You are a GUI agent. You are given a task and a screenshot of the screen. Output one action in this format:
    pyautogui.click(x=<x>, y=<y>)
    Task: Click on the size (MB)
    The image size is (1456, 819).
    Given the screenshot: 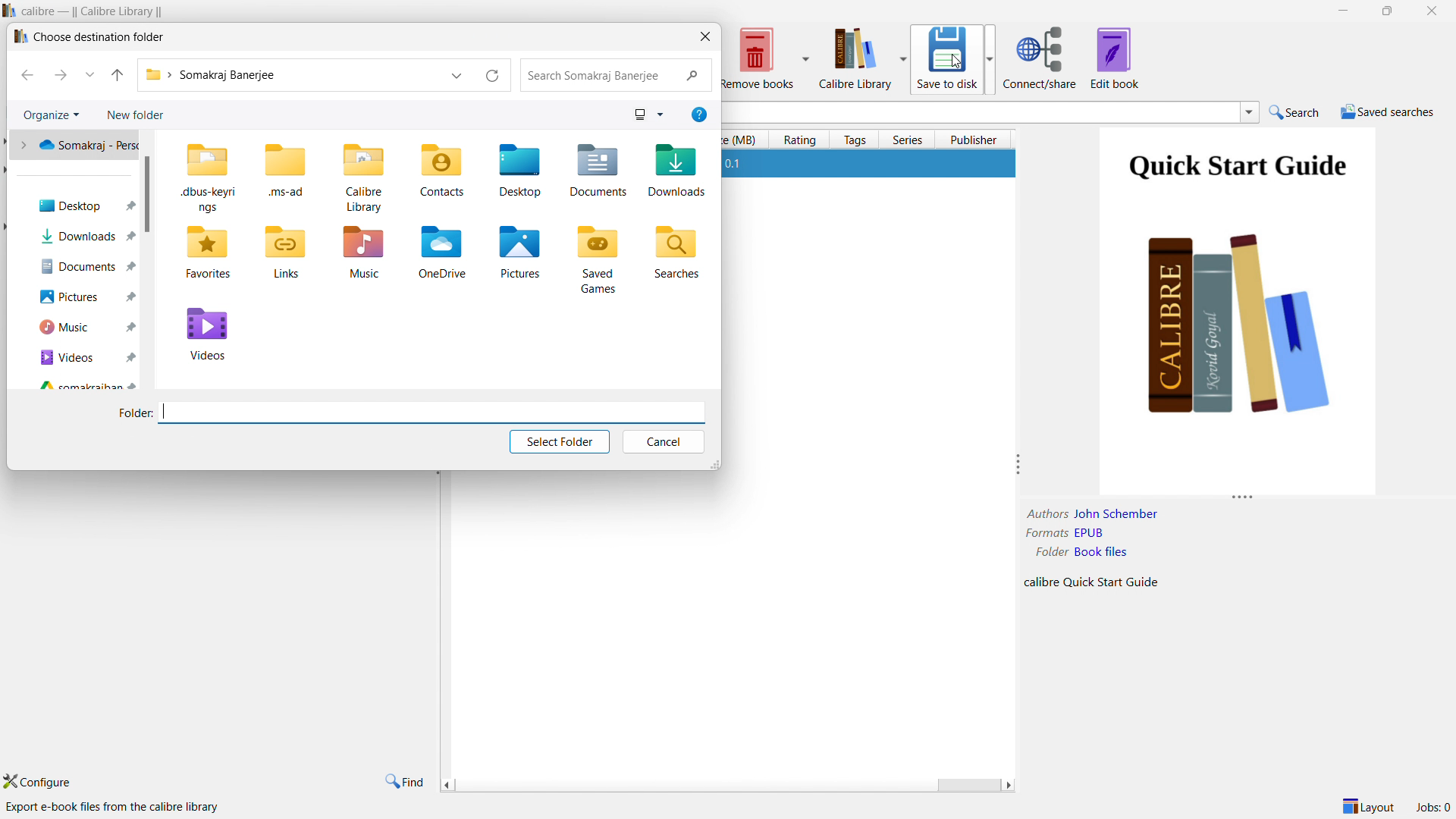 What is the action you would take?
    pyautogui.click(x=744, y=139)
    